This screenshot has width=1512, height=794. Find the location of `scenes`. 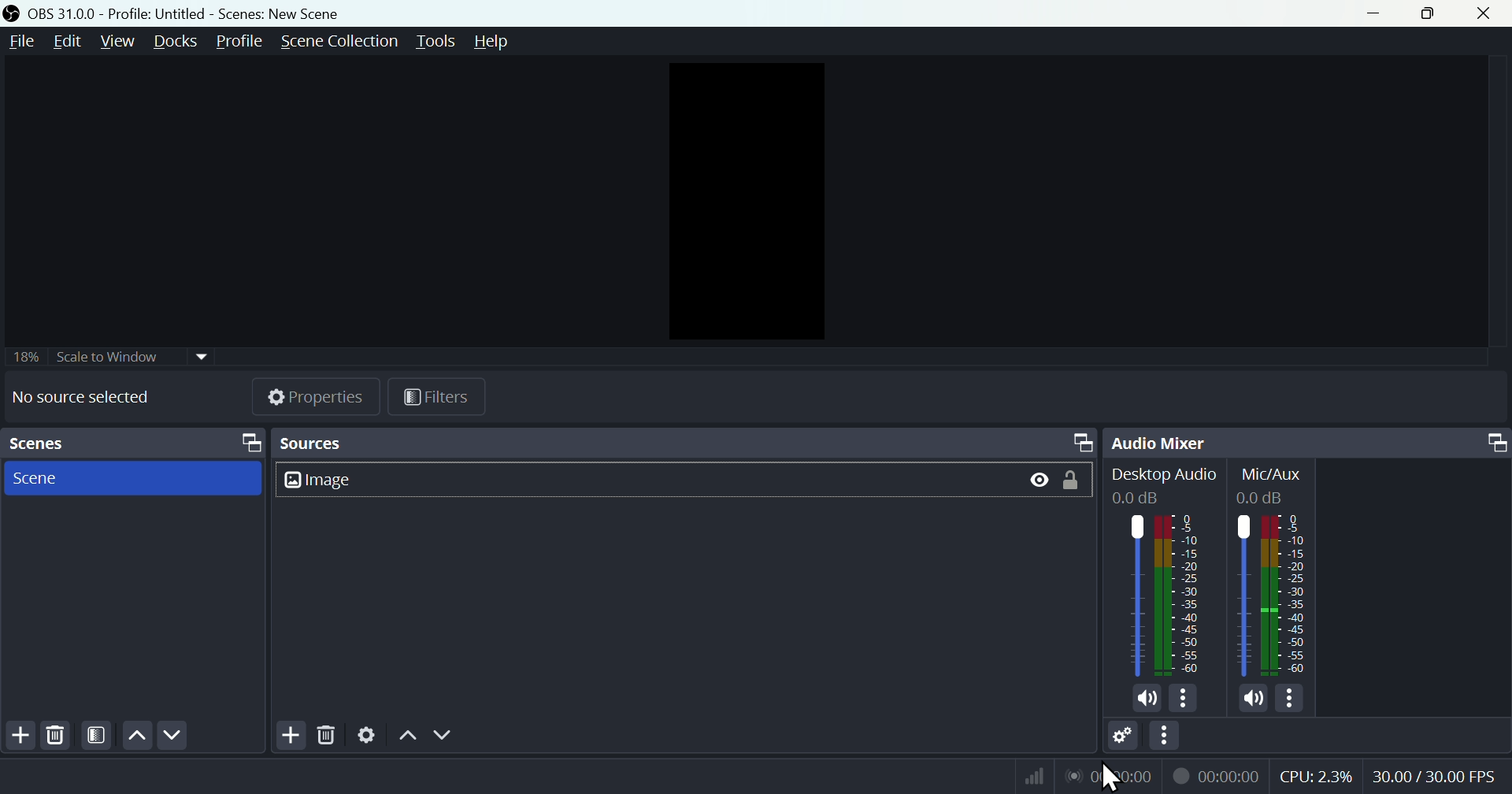

scenes is located at coordinates (133, 477).